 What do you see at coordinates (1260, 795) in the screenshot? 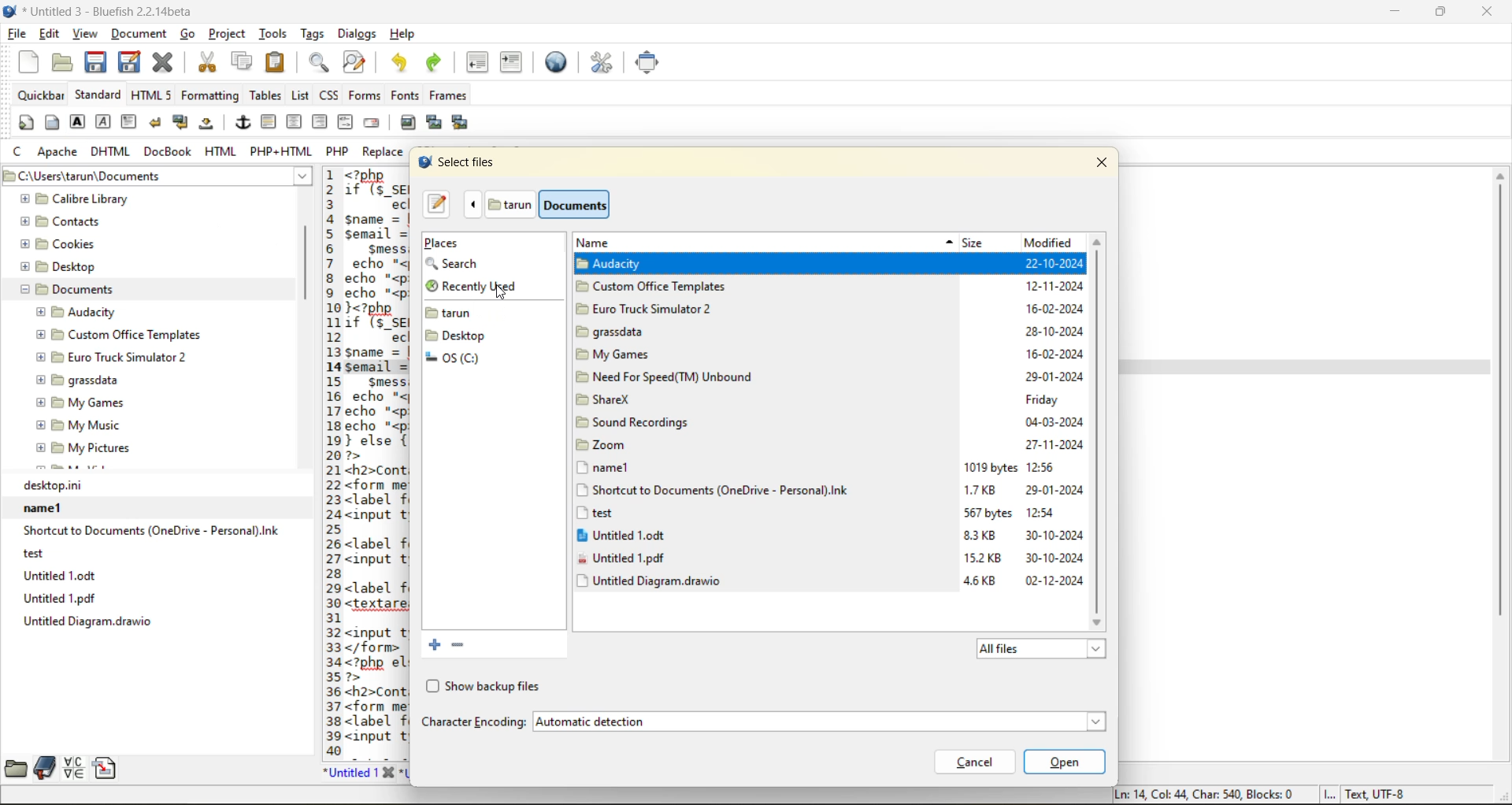
I see `metadata` at bounding box center [1260, 795].